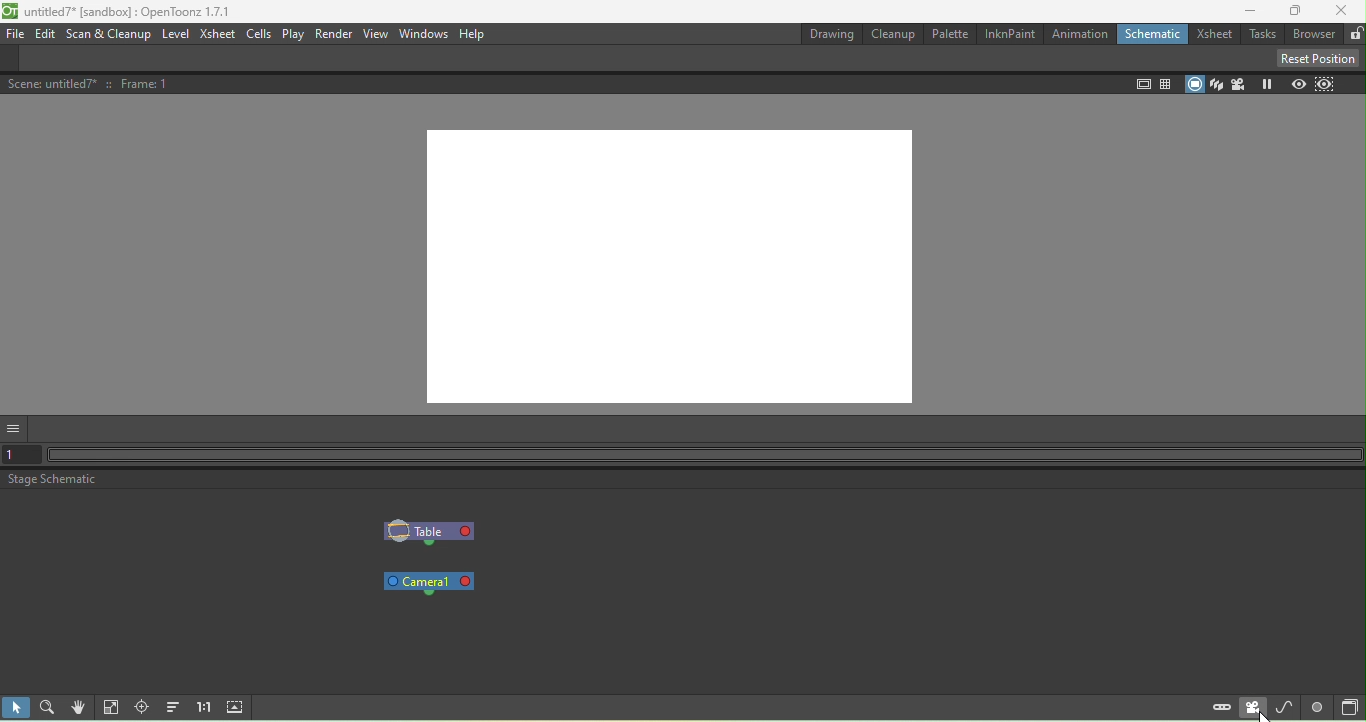 This screenshot has height=722, width=1366. Describe the element at coordinates (893, 36) in the screenshot. I see `Cleanup` at that location.